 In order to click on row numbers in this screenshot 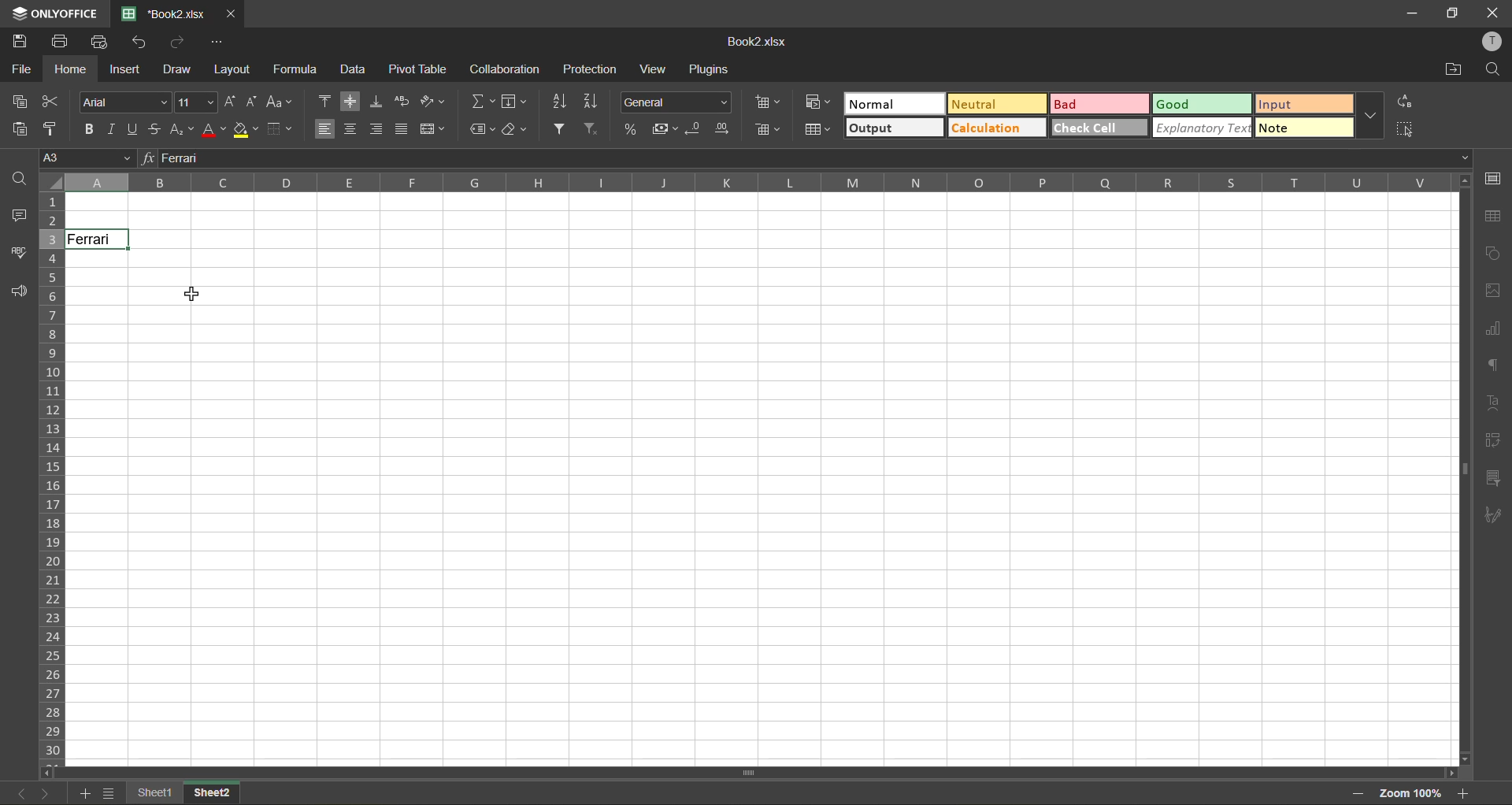, I will do `click(52, 476)`.